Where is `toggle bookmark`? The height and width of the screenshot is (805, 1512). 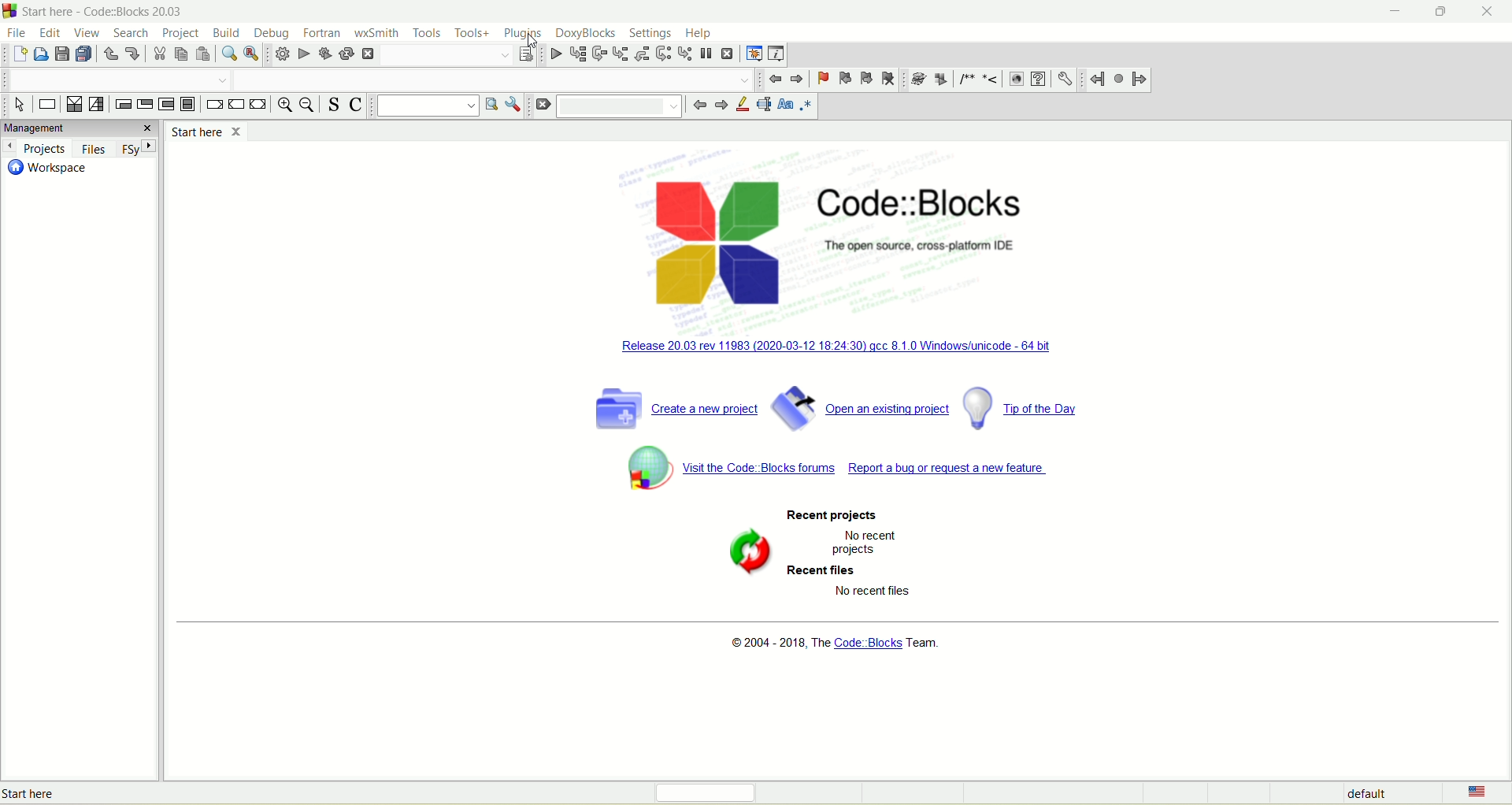 toggle bookmark is located at coordinates (822, 79).